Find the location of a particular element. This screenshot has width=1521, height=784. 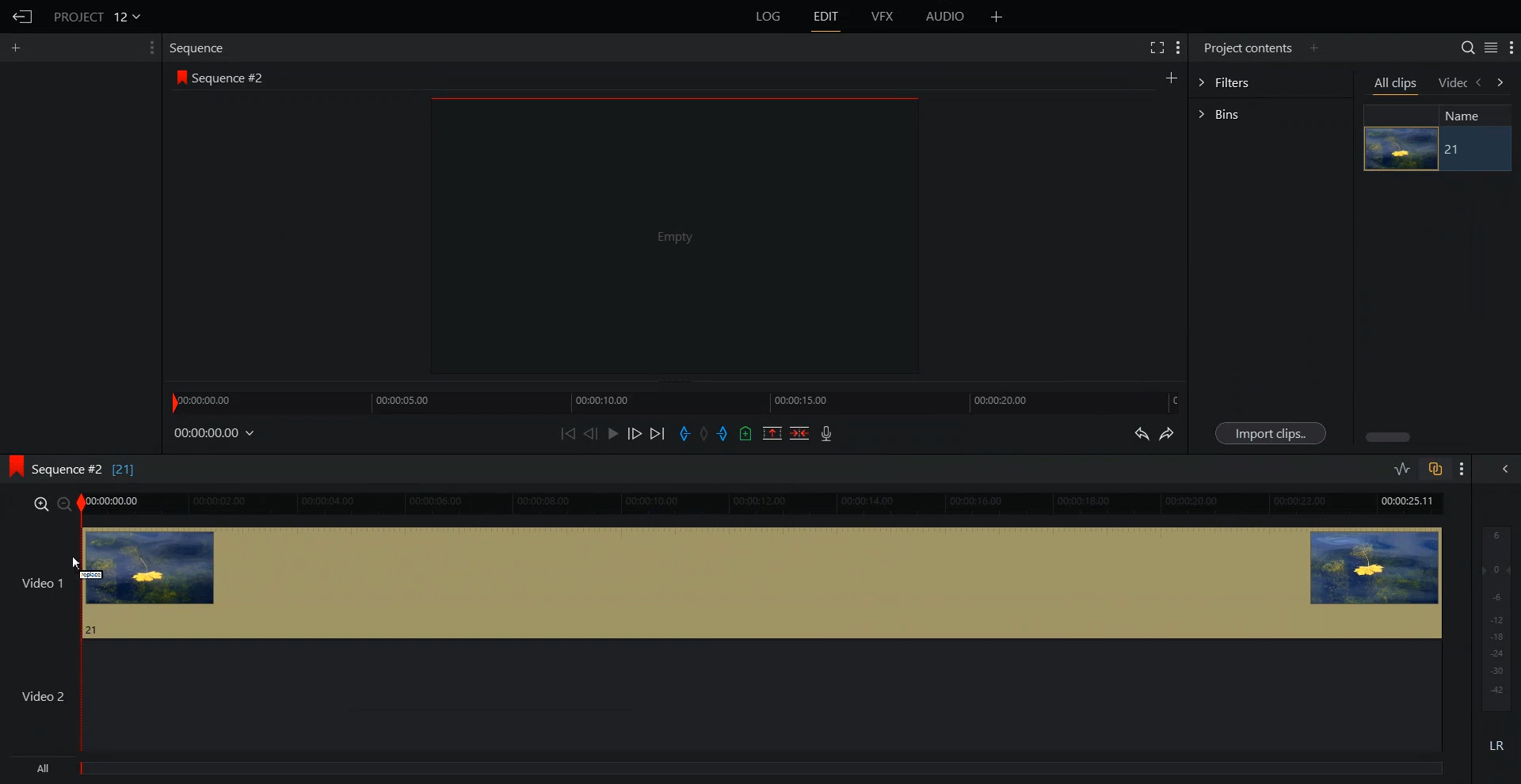

Move forwaars is located at coordinates (1500, 82).